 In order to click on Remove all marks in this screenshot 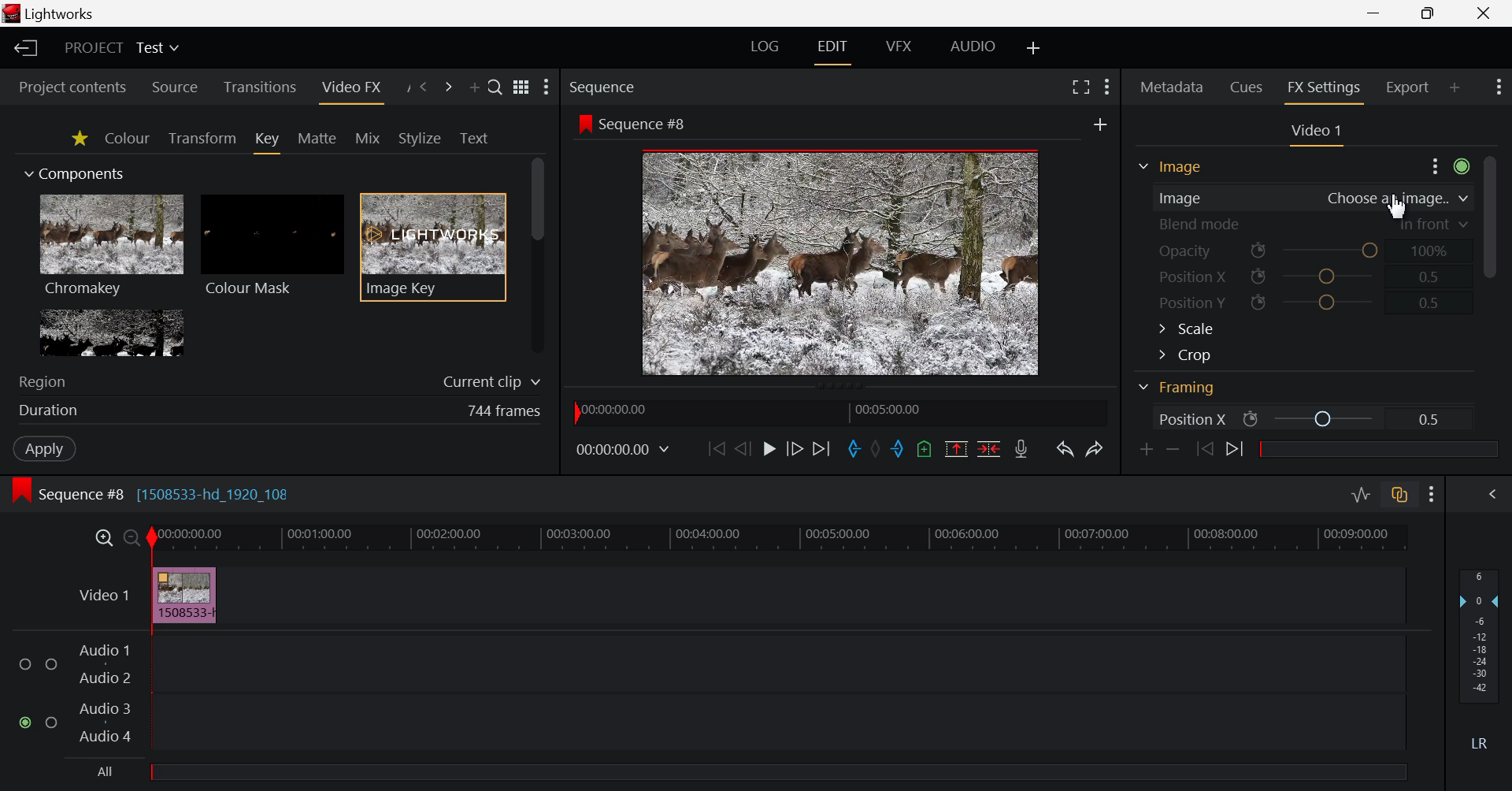, I will do `click(879, 450)`.